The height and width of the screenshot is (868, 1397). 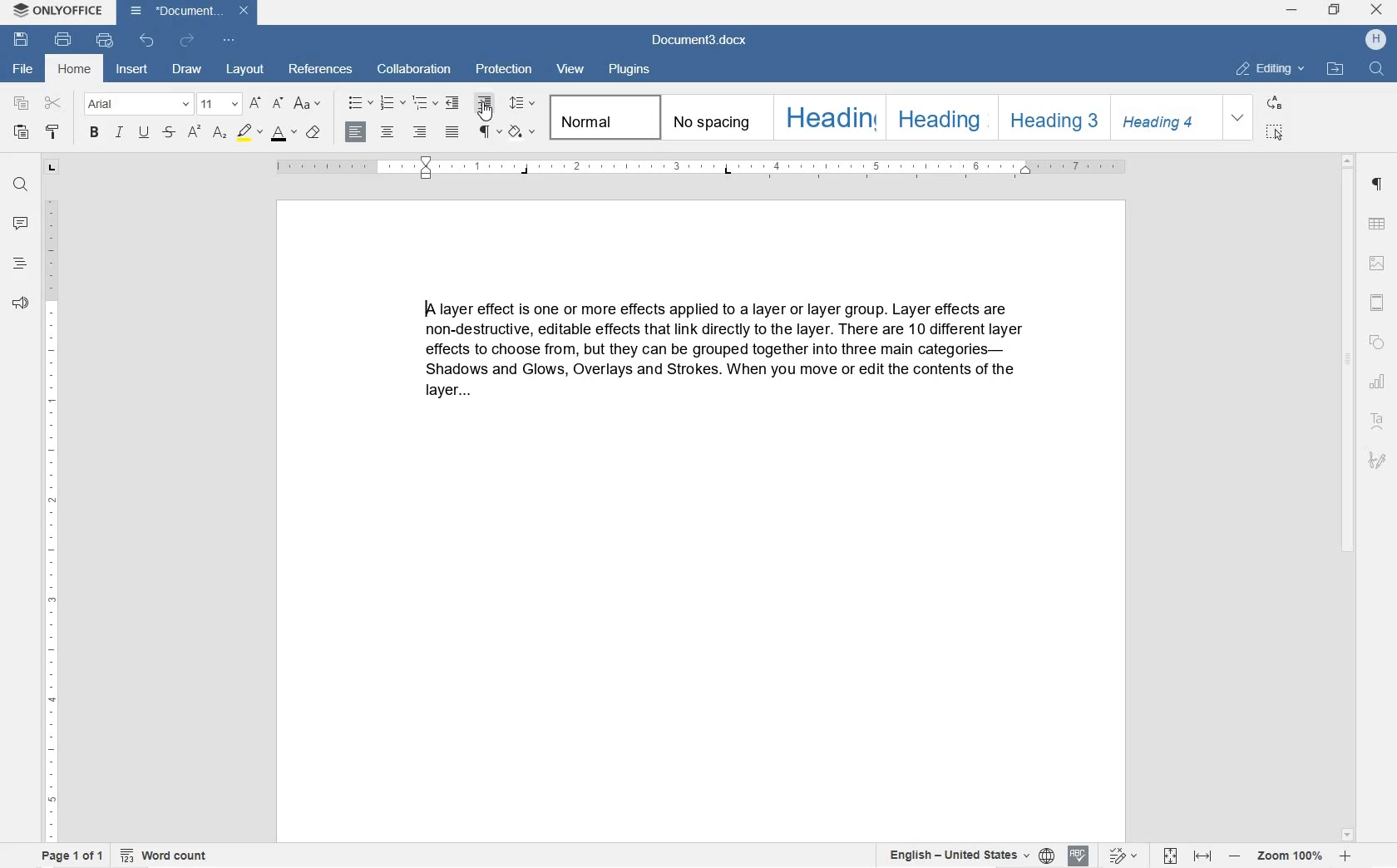 I want to click on CURSOR, so click(x=484, y=114).